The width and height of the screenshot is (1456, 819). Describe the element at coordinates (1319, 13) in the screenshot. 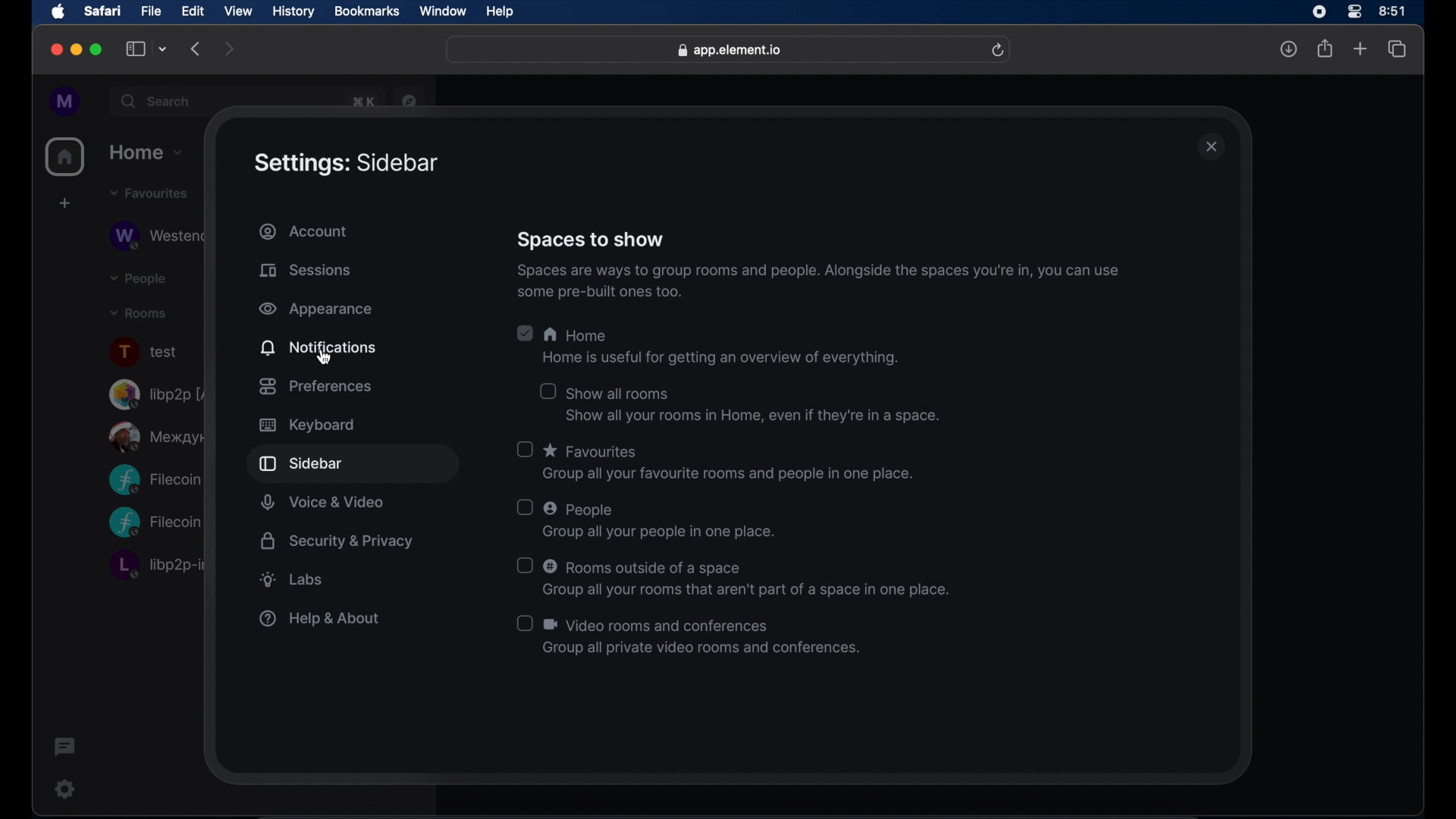

I see `screen recorder icon` at that location.